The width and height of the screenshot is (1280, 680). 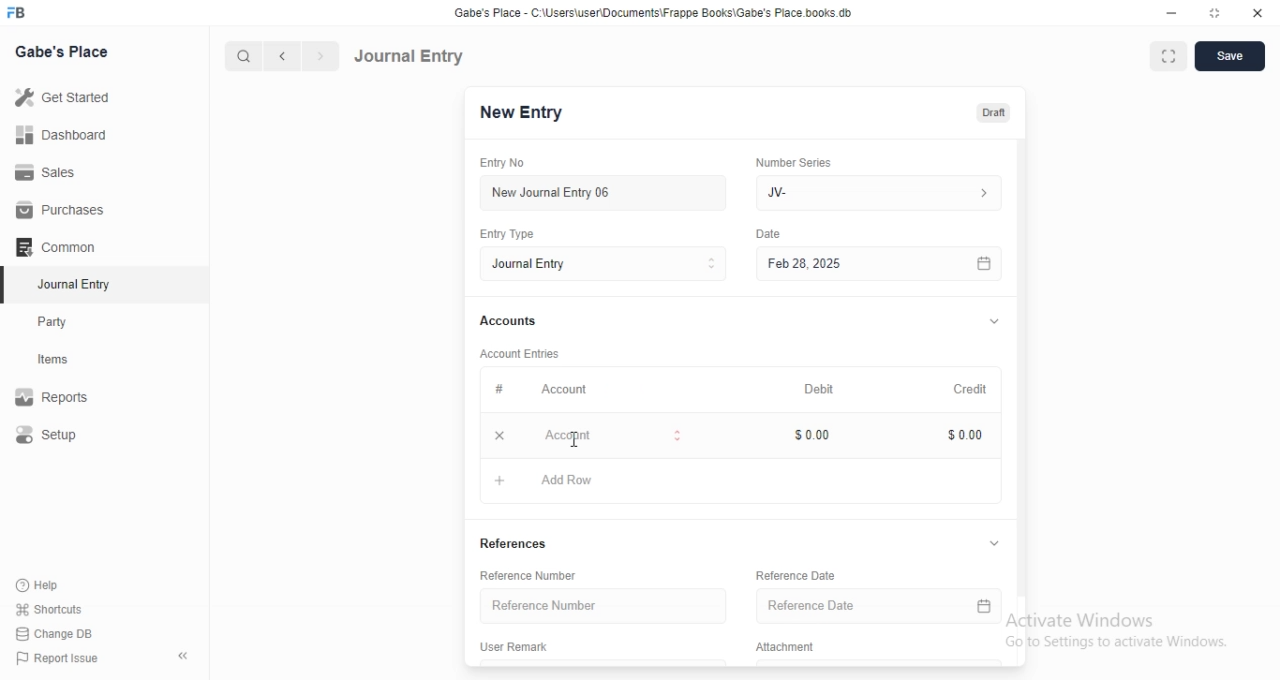 I want to click on Dashboard, so click(x=66, y=134).